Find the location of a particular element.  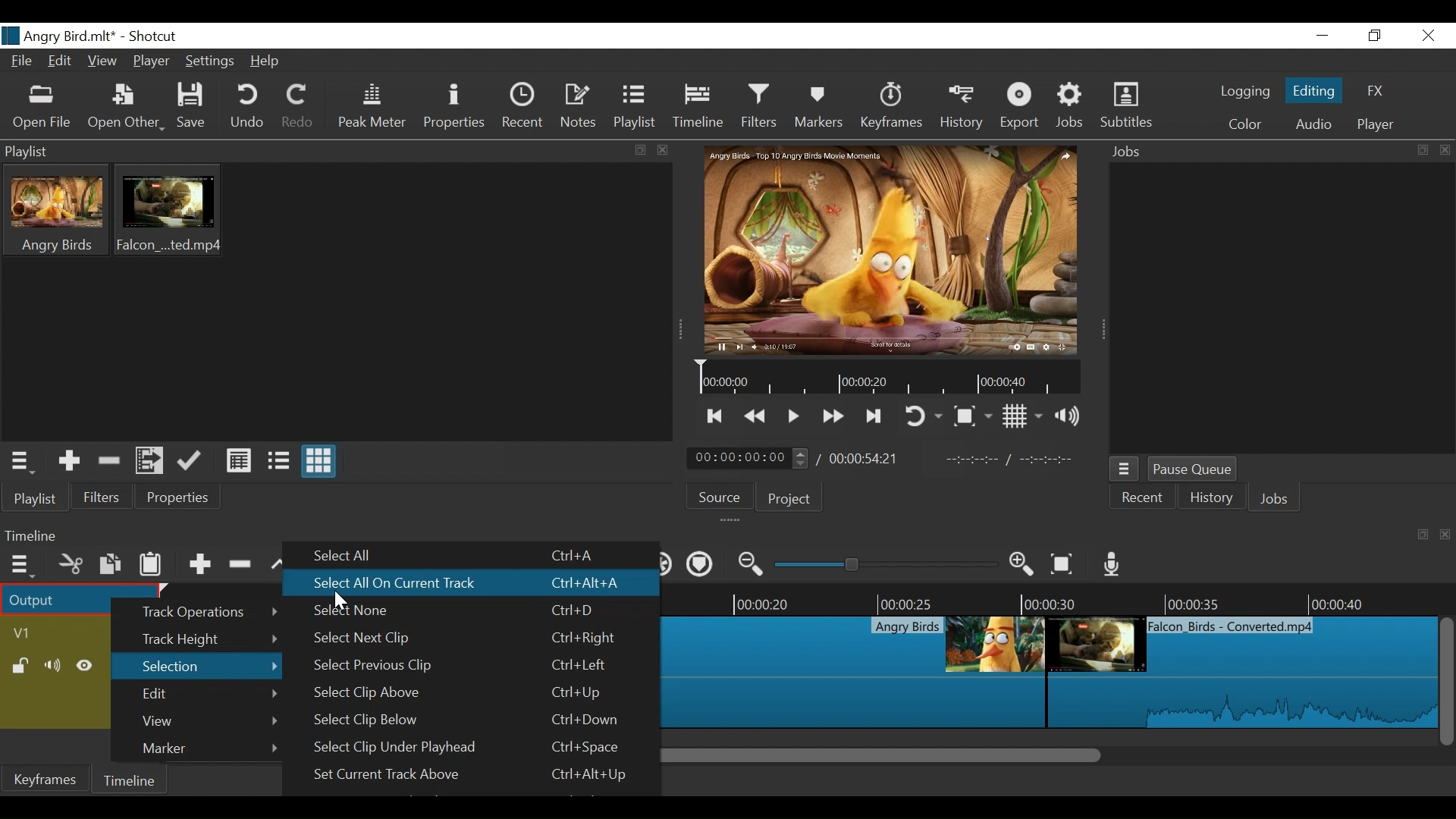

FX is located at coordinates (1380, 91).